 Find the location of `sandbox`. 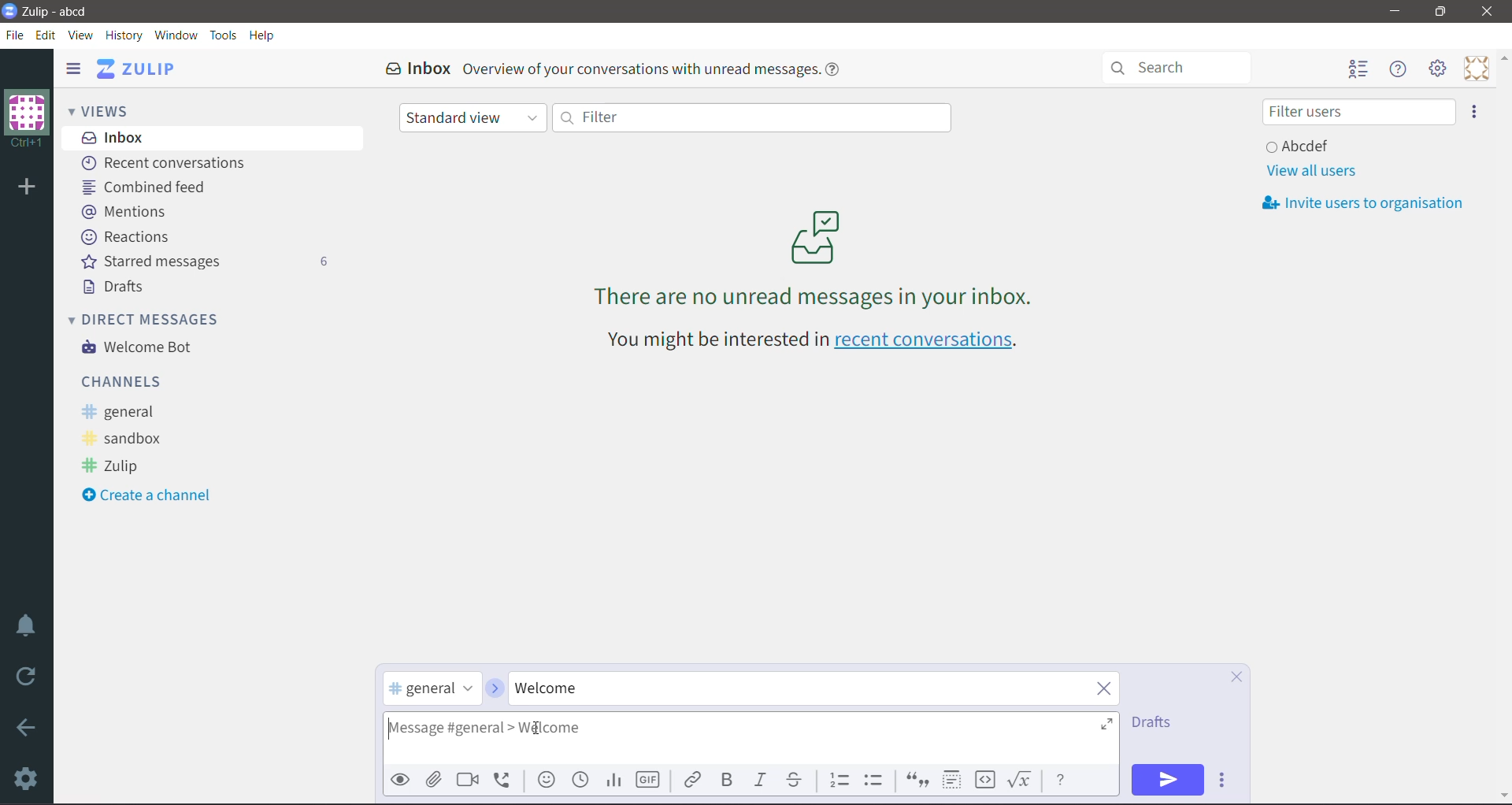

sandbox is located at coordinates (128, 440).